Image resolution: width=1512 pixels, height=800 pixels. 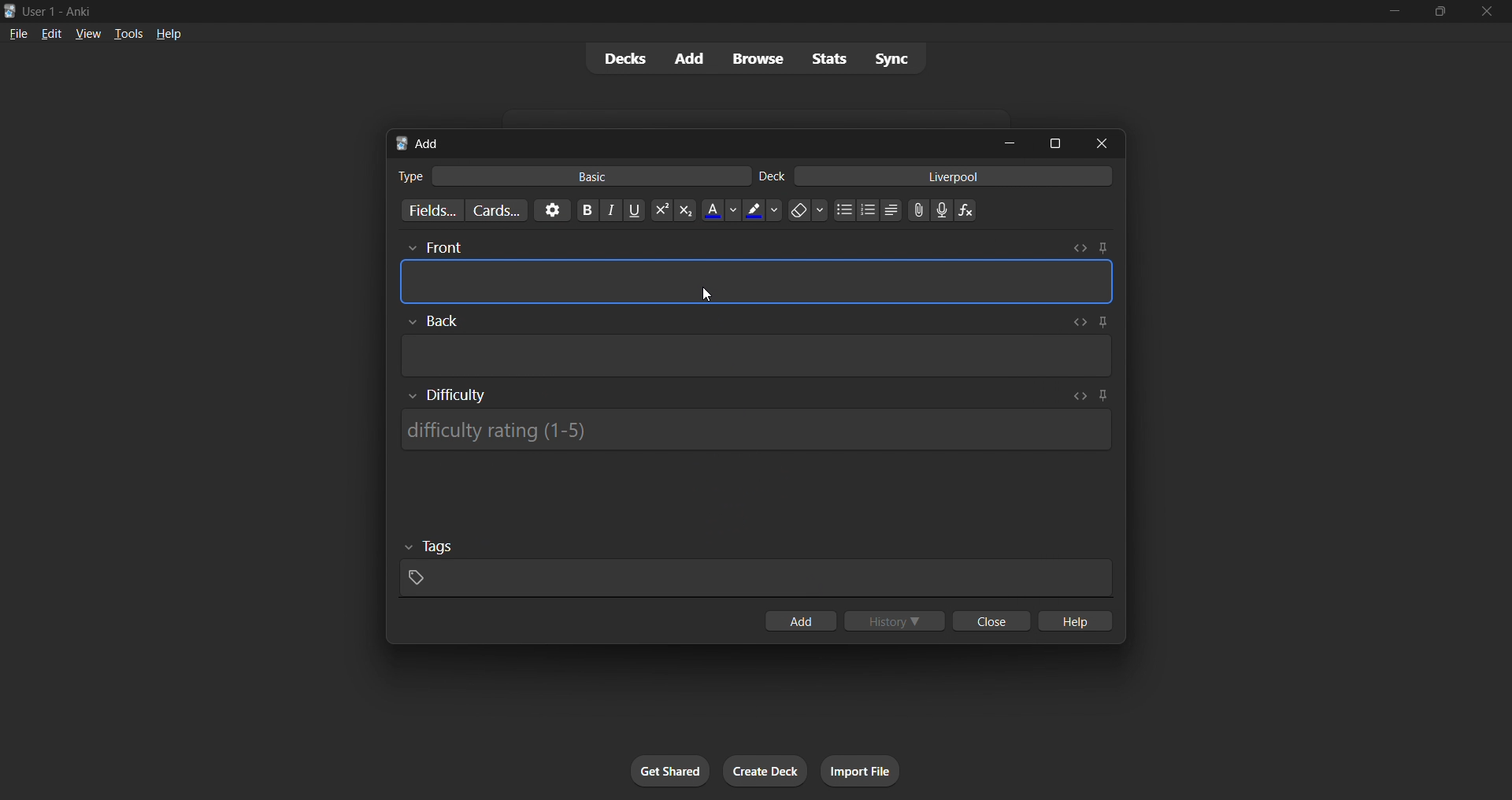 What do you see at coordinates (772, 176) in the screenshot?
I see `Text` at bounding box center [772, 176].